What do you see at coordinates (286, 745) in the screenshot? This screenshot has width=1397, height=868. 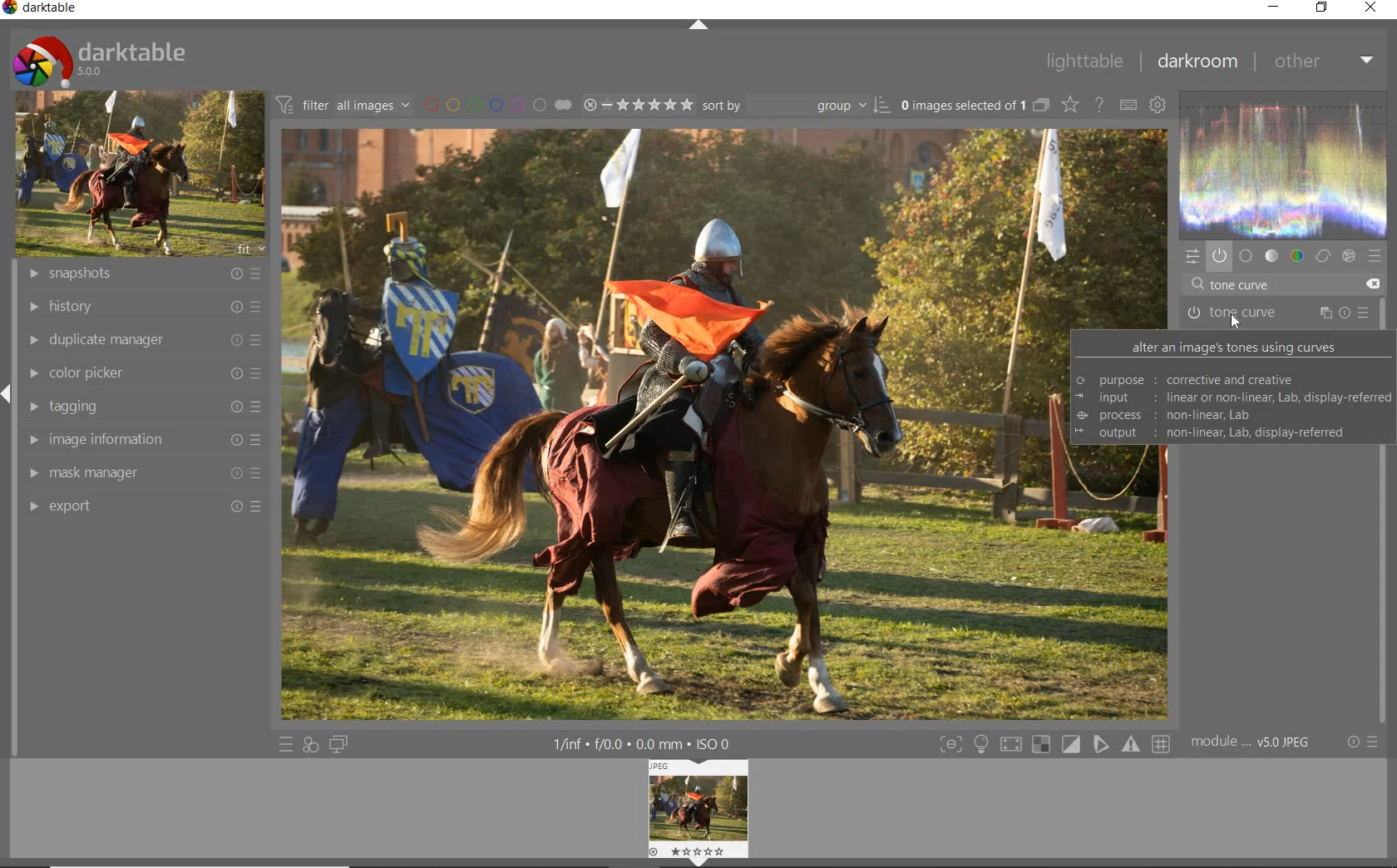 I see `quick access to presets` at bounding box center [286, 745].